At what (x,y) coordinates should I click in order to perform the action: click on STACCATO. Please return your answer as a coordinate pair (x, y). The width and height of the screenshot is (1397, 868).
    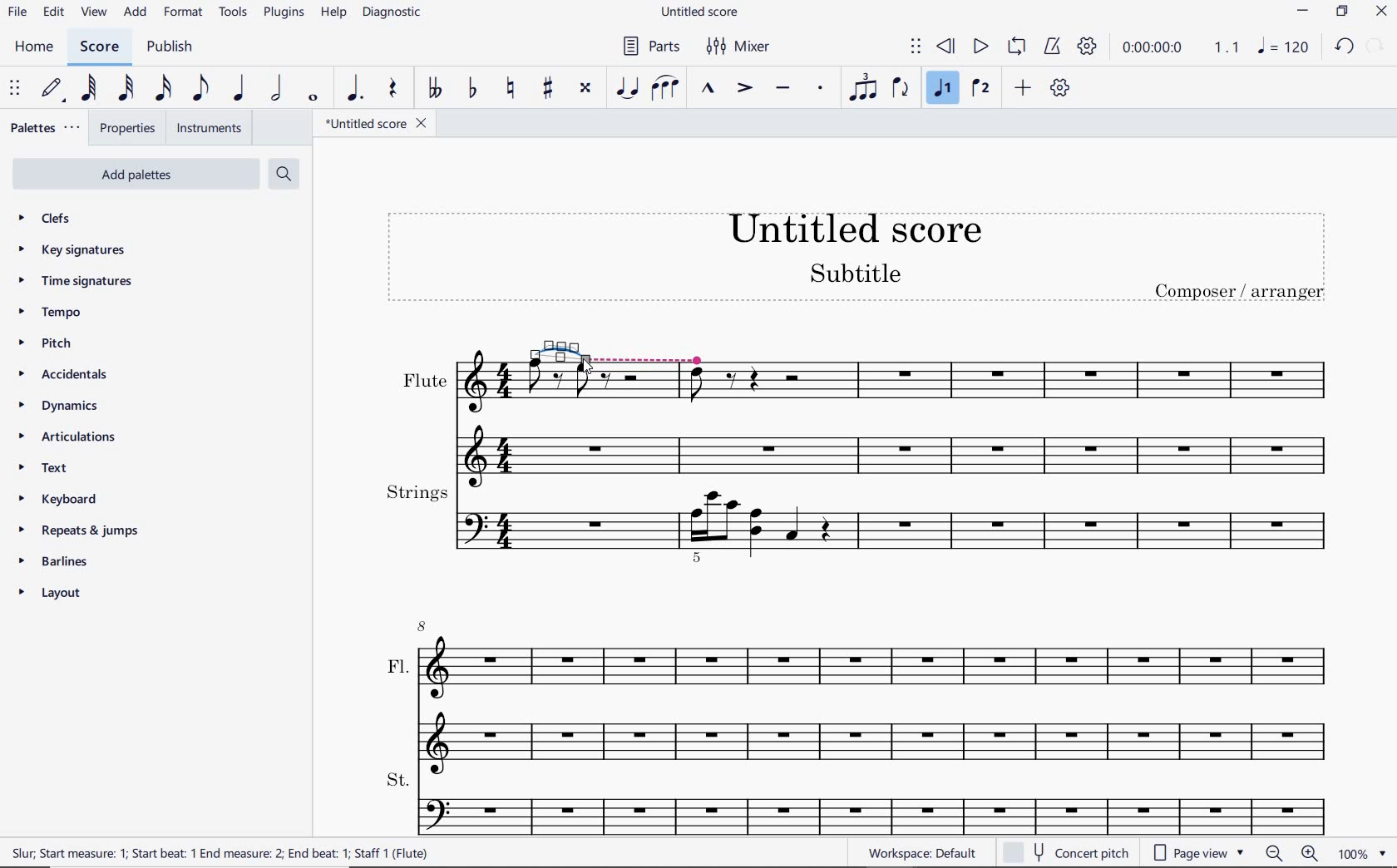
    Looking at the image, I should click on (821, 89).